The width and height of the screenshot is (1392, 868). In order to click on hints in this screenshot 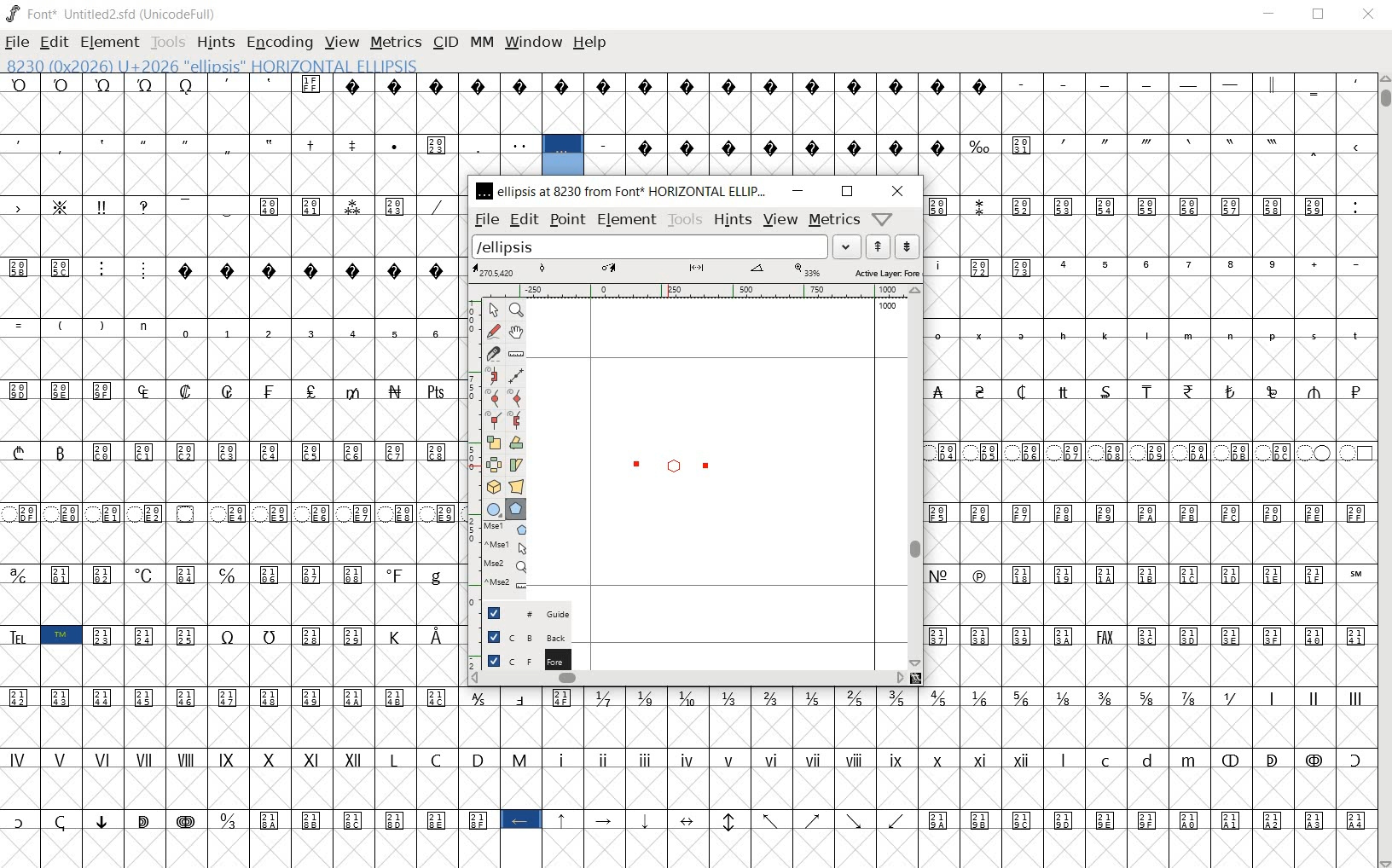, I will do `click(732, 219)`.